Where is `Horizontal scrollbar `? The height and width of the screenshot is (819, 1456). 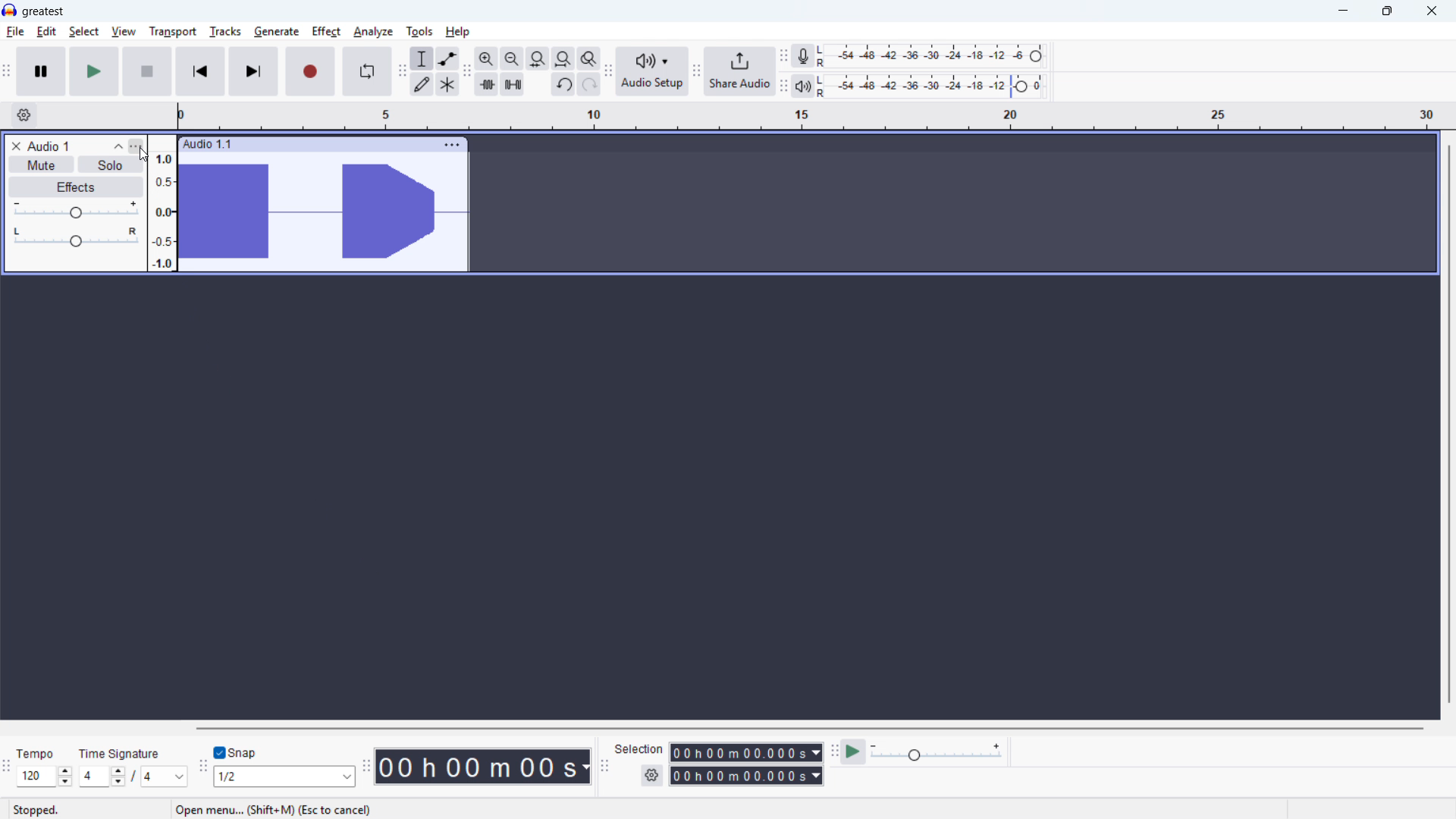 Horizontal scrollbar  is located at coordinates (808, 728).